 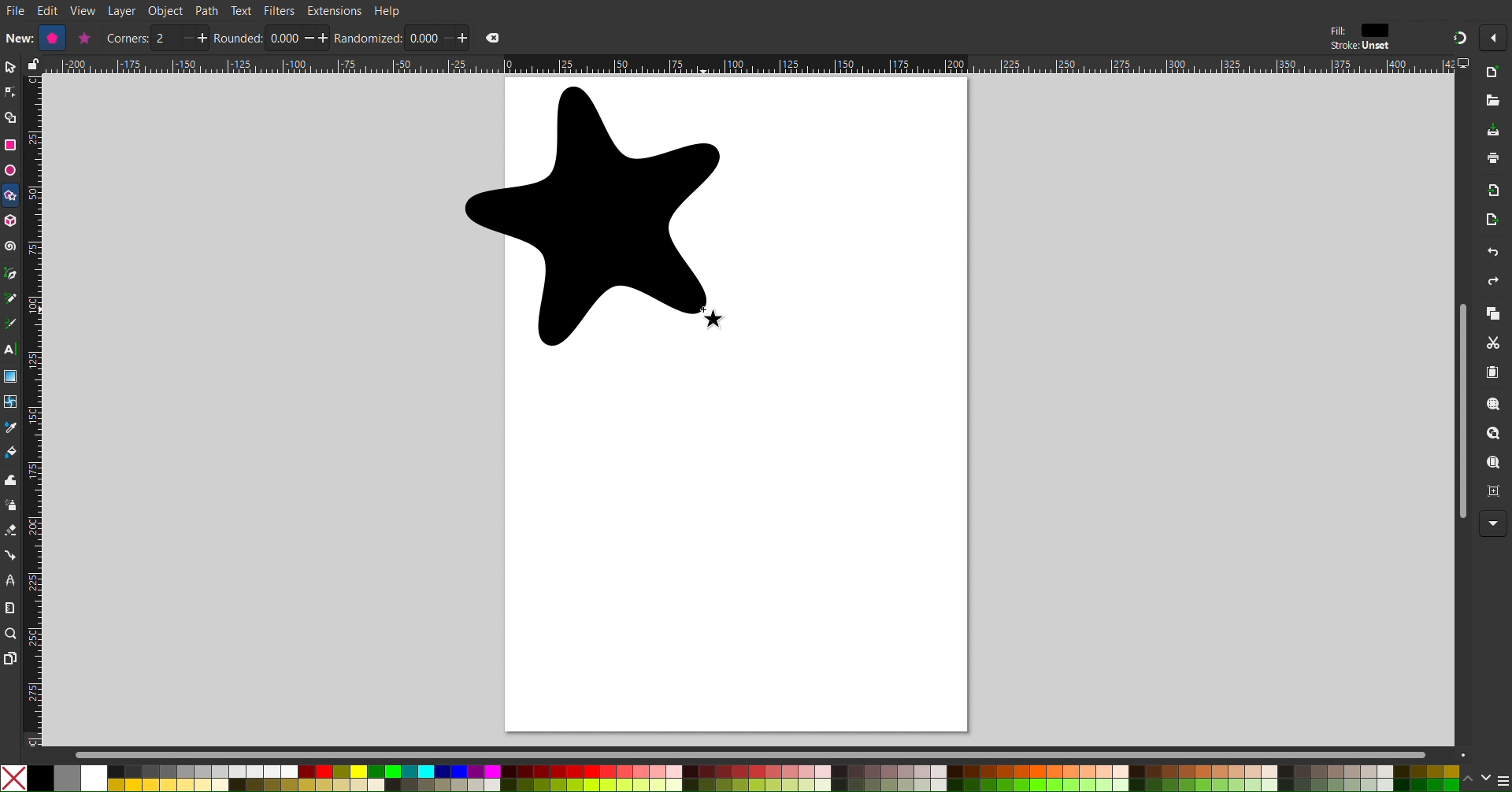 What do you see at coordinates (83, 38) in the screenshot?
I see `star options` at bounding box center [83, 38].